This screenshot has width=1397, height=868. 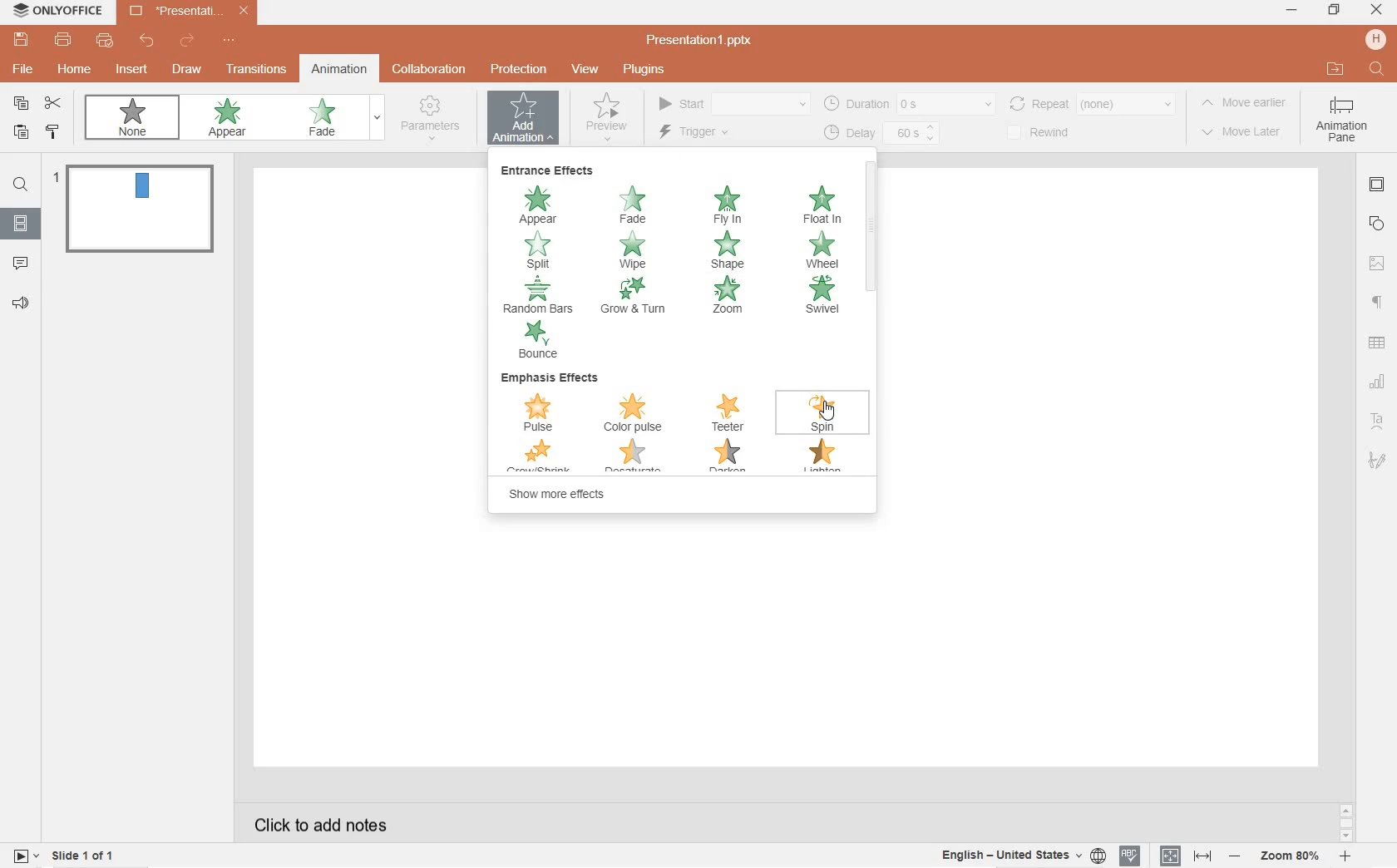 I want to click on undo, so click(x=147, y=41).